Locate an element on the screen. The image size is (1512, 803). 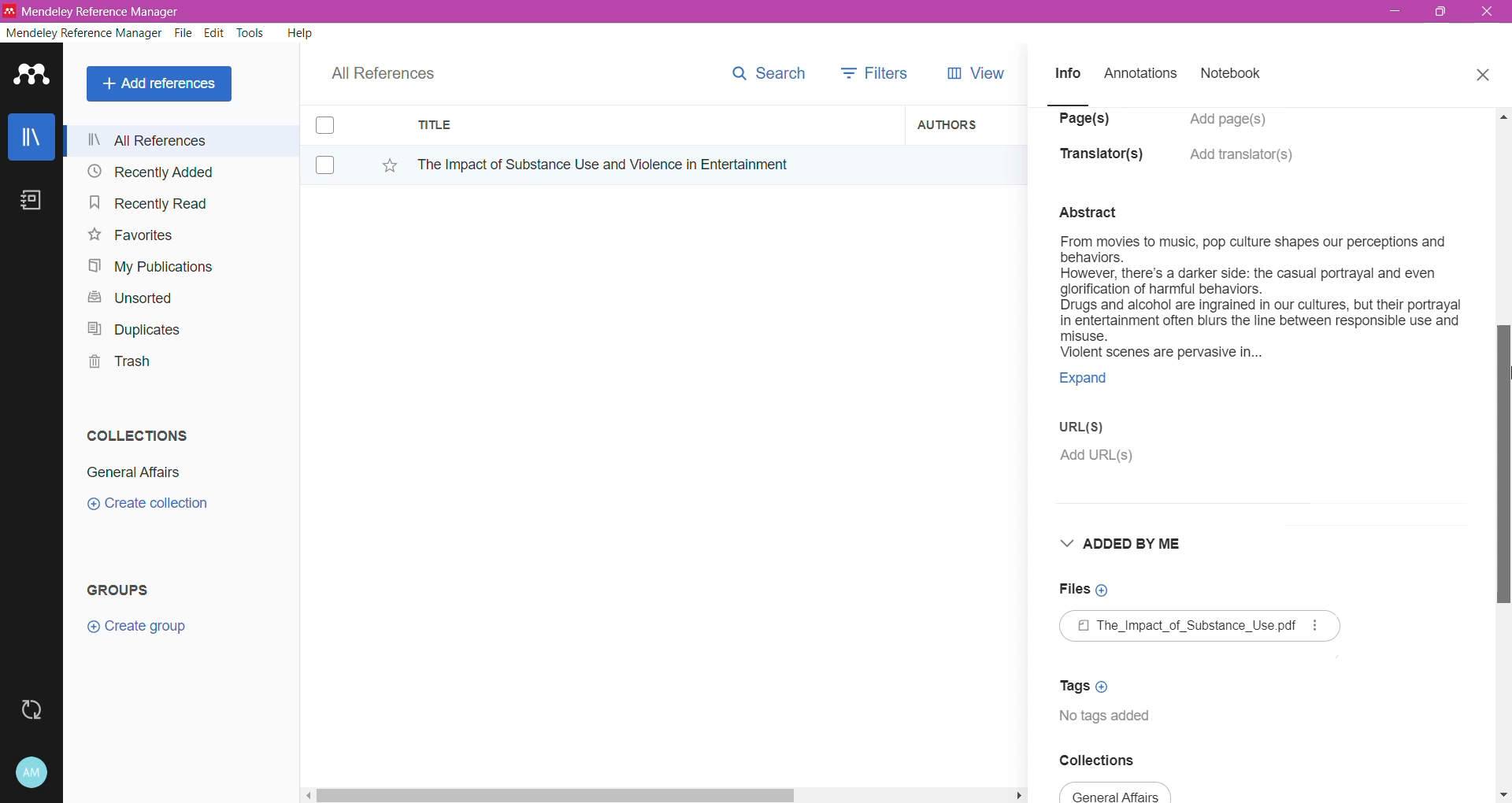
Unsorted is located at coordinates (128, 297).